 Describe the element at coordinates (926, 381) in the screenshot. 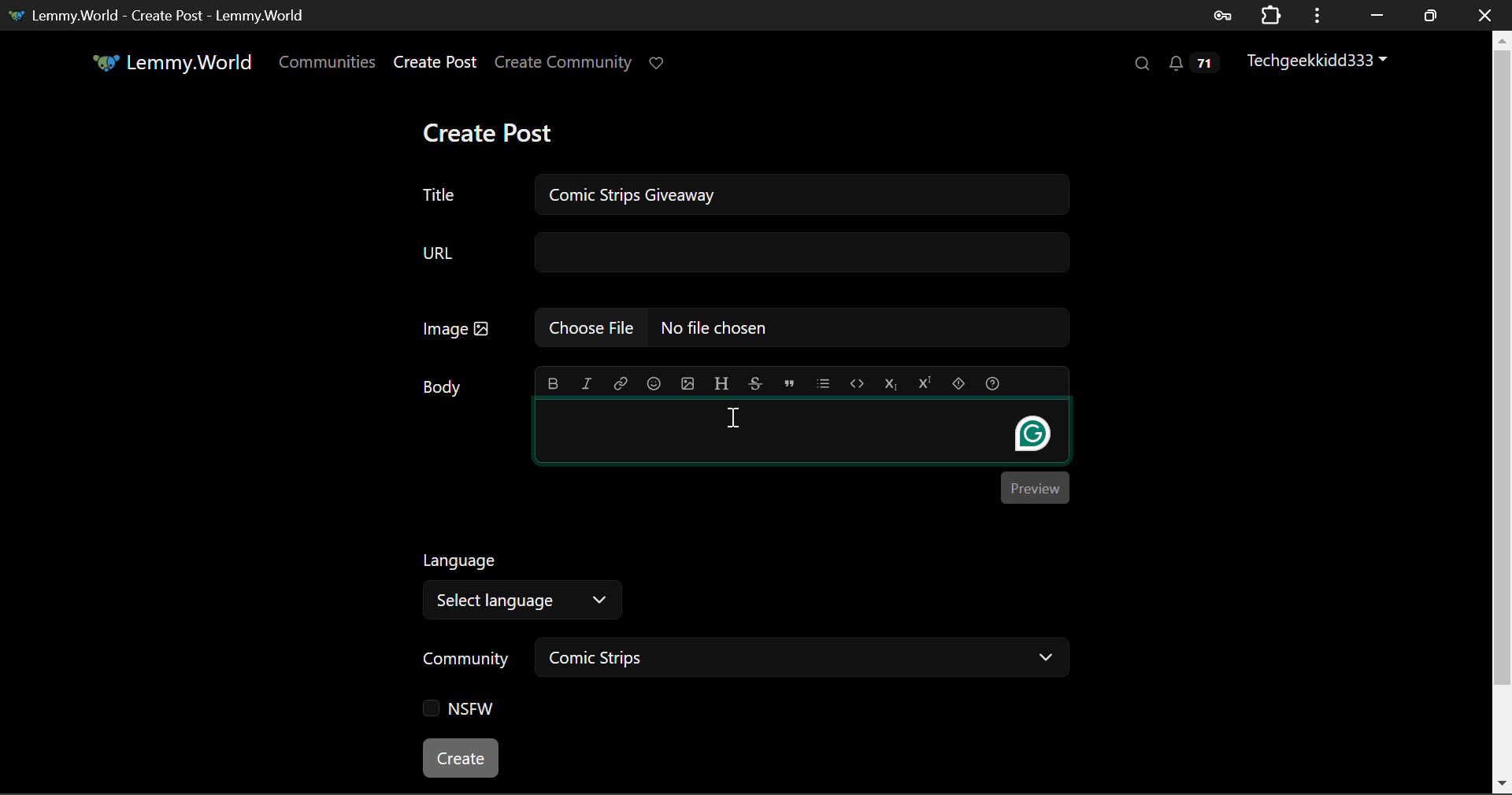

I see `superscript` at that location.